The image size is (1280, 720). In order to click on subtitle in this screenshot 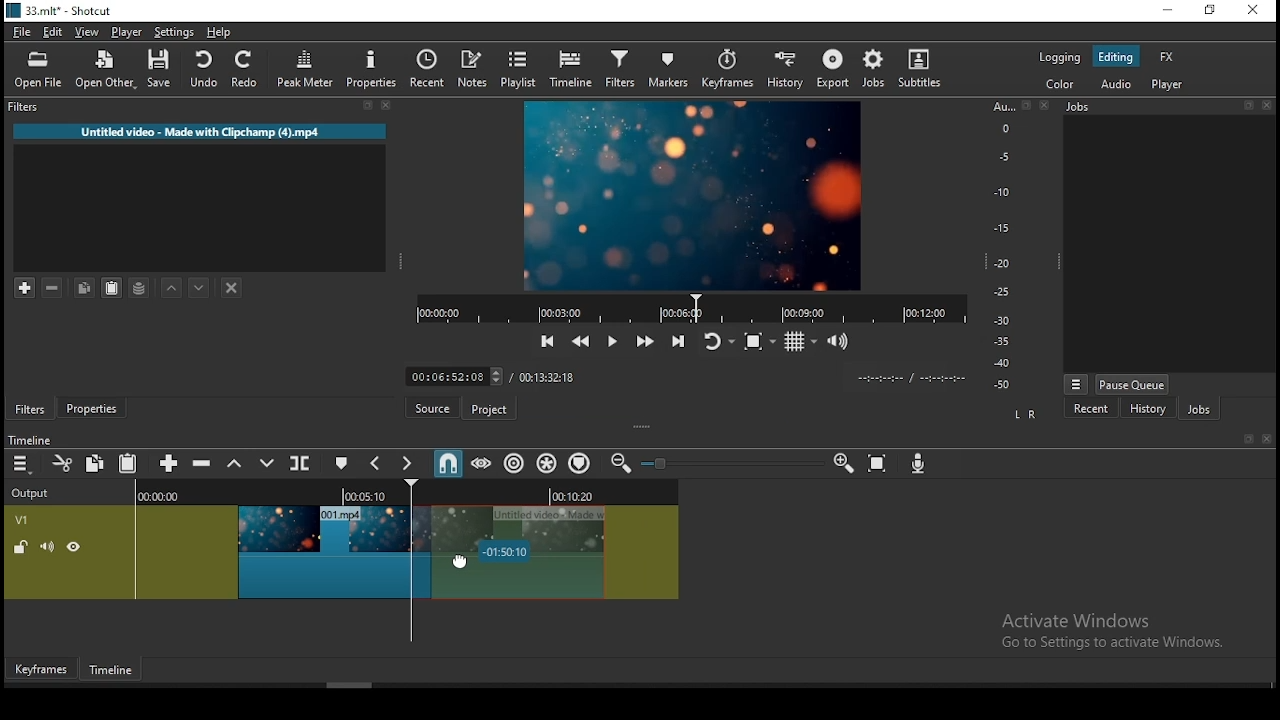, I will do `click(919, 70)`.